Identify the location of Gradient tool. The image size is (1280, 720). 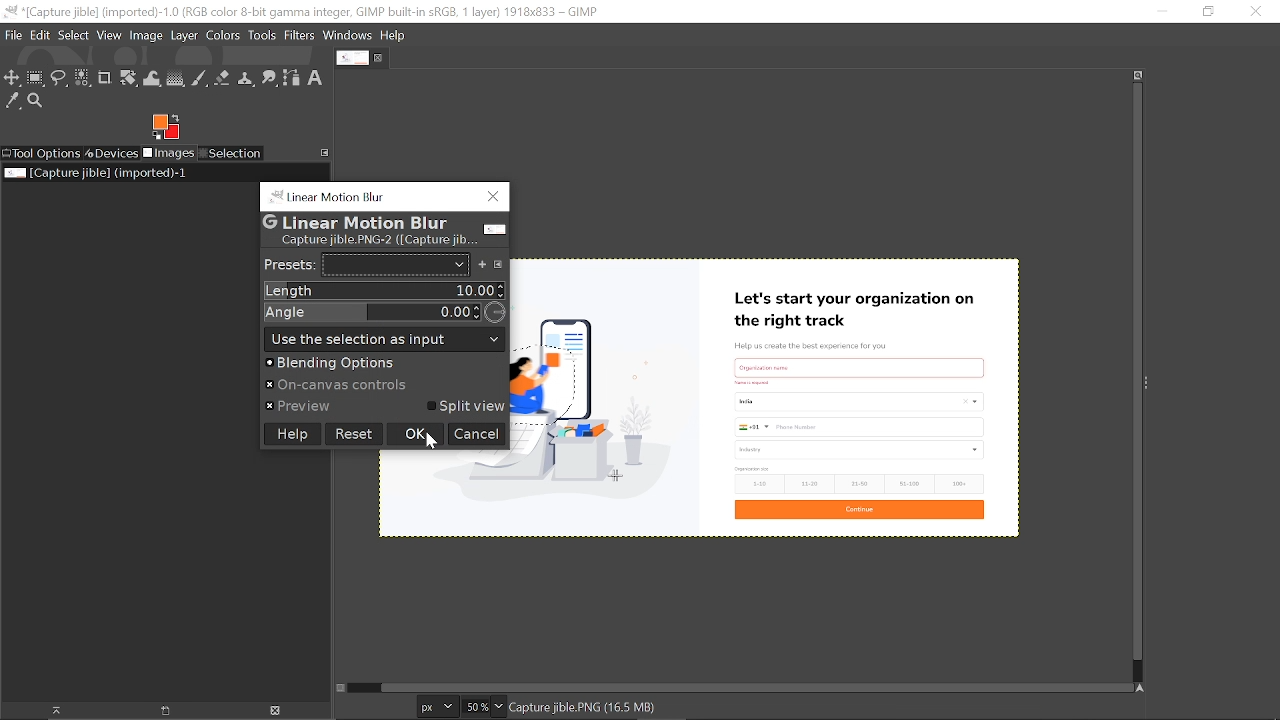
(176, 78).